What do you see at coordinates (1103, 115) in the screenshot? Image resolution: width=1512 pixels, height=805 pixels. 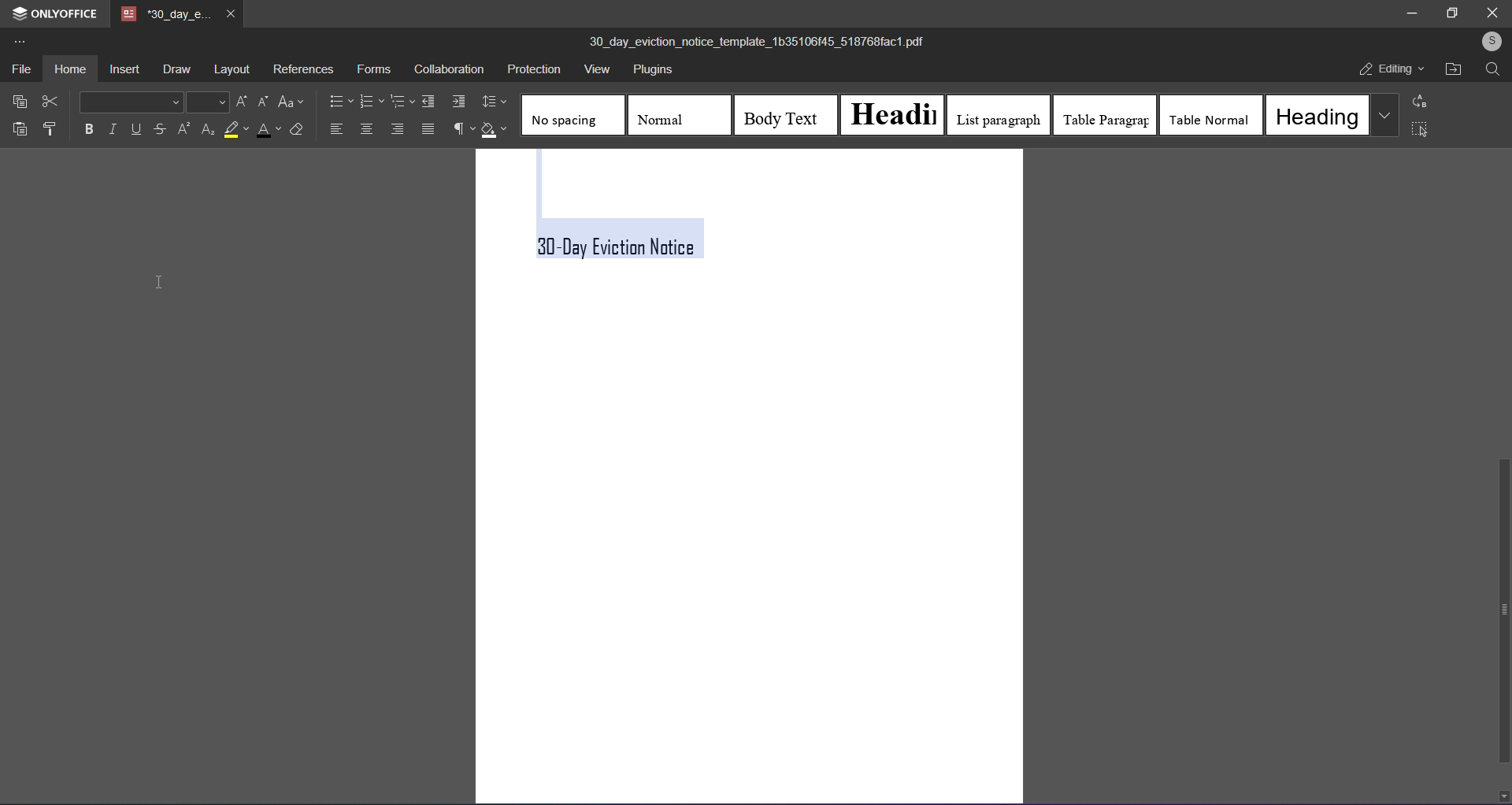 I see `table paragraph` at bounding box center [1103, 115].